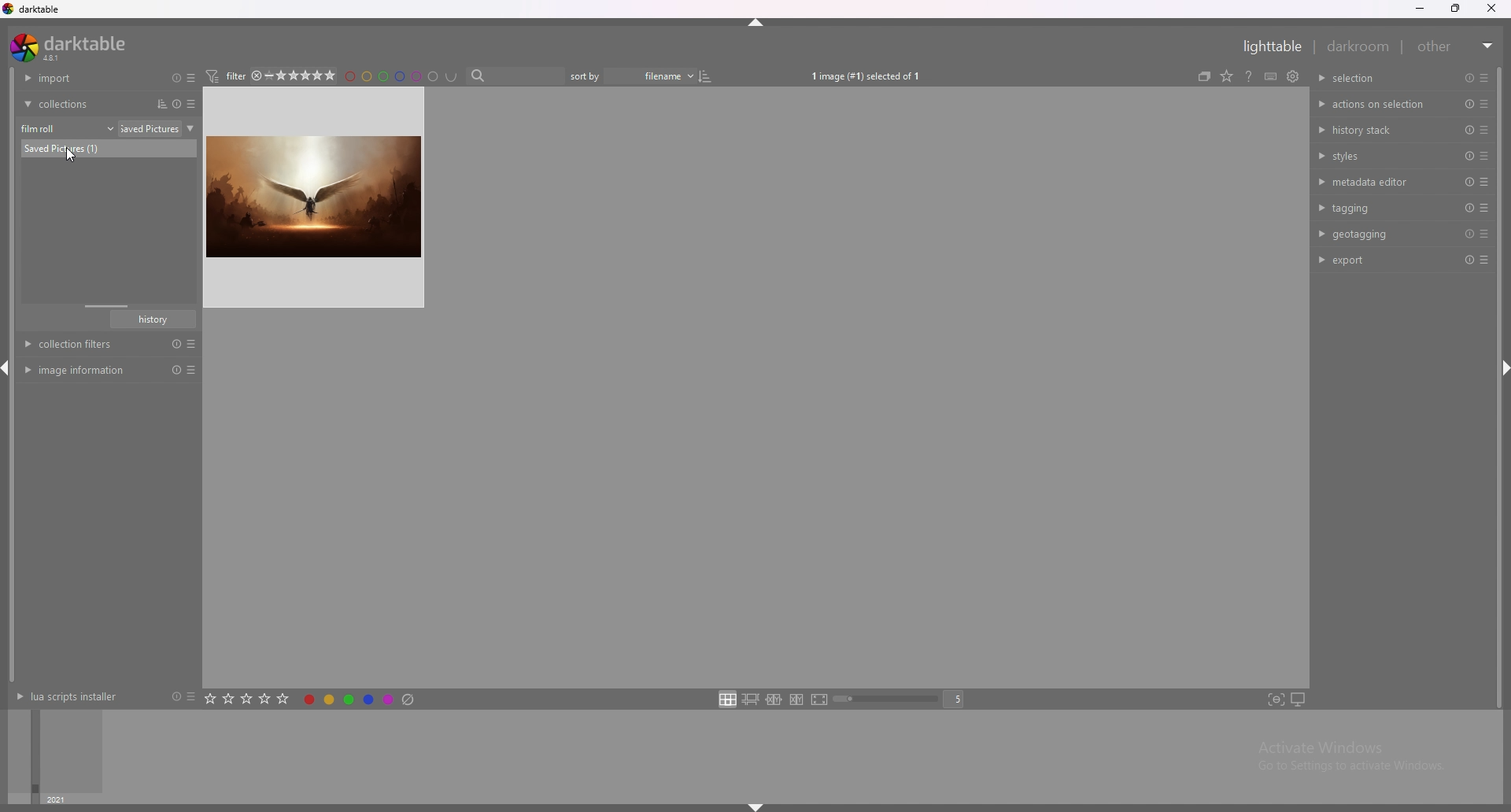 Image resolution: width=1511 pixels, height=812 pixels. Describe the element at coordinates (311, 76) in the screenshot. I see `star rating` at that location.